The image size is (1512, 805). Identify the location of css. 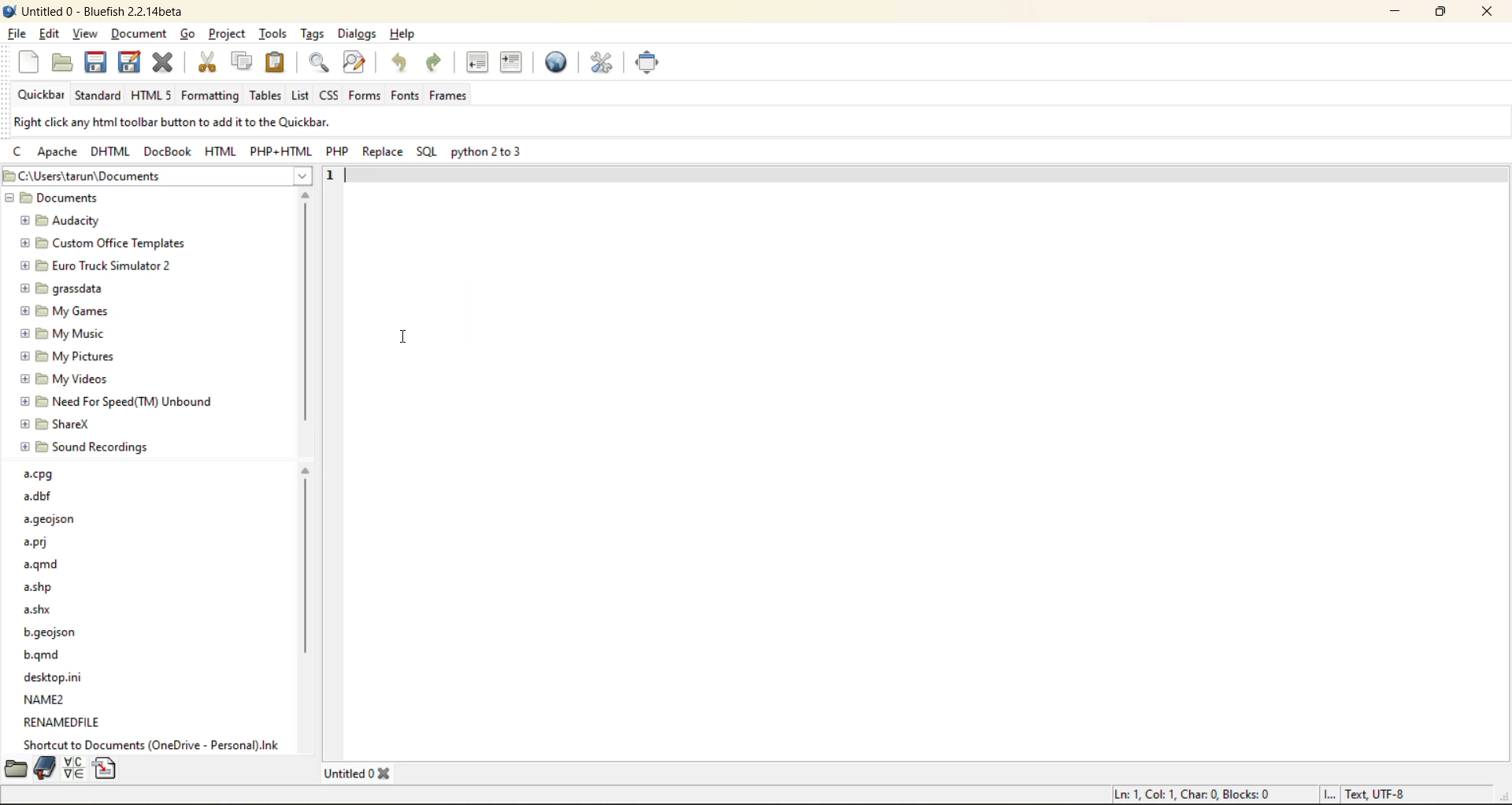
(331, 95).